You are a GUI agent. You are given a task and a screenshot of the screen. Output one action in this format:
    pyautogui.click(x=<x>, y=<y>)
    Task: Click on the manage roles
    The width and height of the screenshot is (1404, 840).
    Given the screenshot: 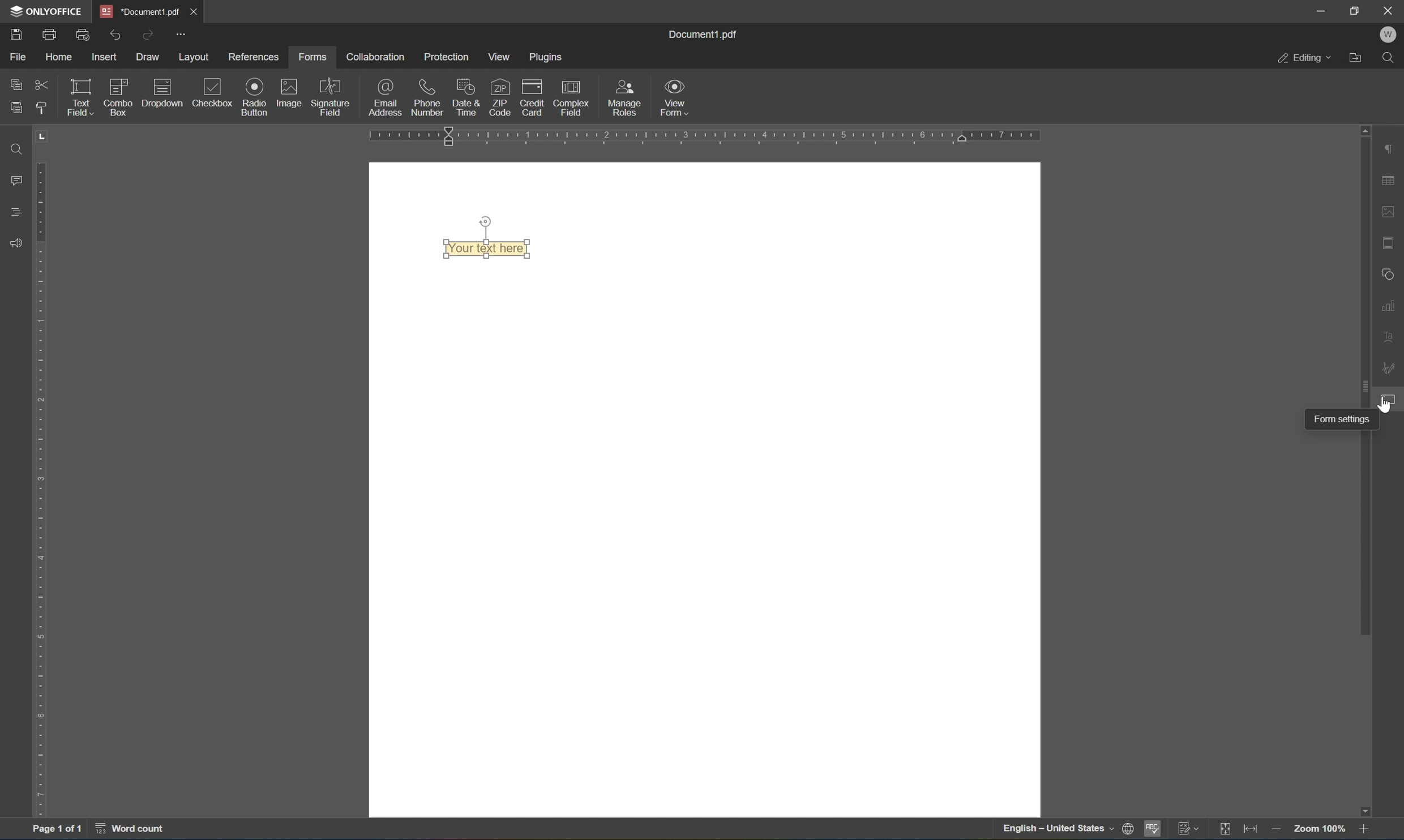 What is the action you would take?
    pyautogui.click(x=625, y=97)
    